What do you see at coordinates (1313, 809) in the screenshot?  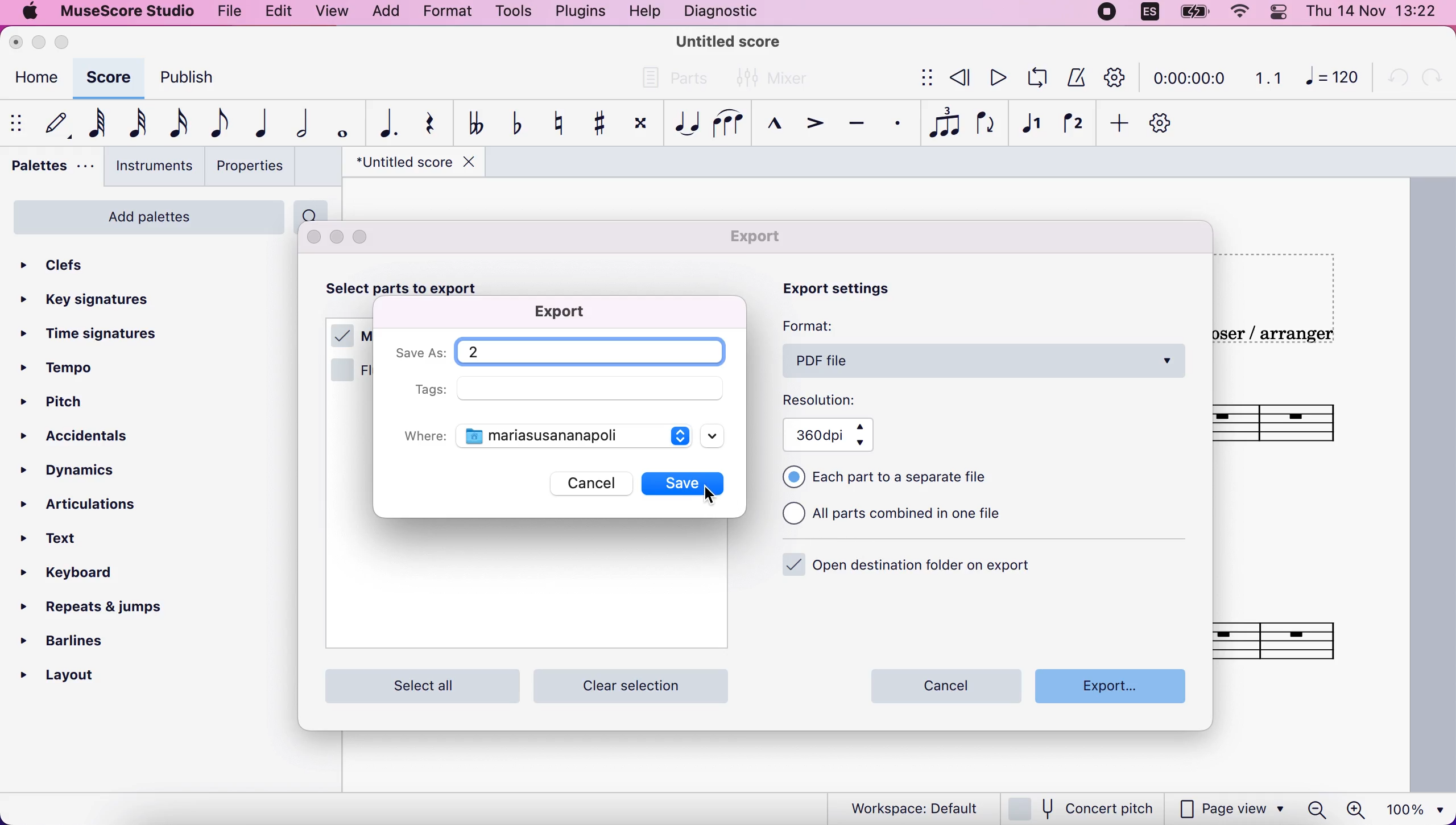 I see `zoom out` at bounding box center [1313, 809].